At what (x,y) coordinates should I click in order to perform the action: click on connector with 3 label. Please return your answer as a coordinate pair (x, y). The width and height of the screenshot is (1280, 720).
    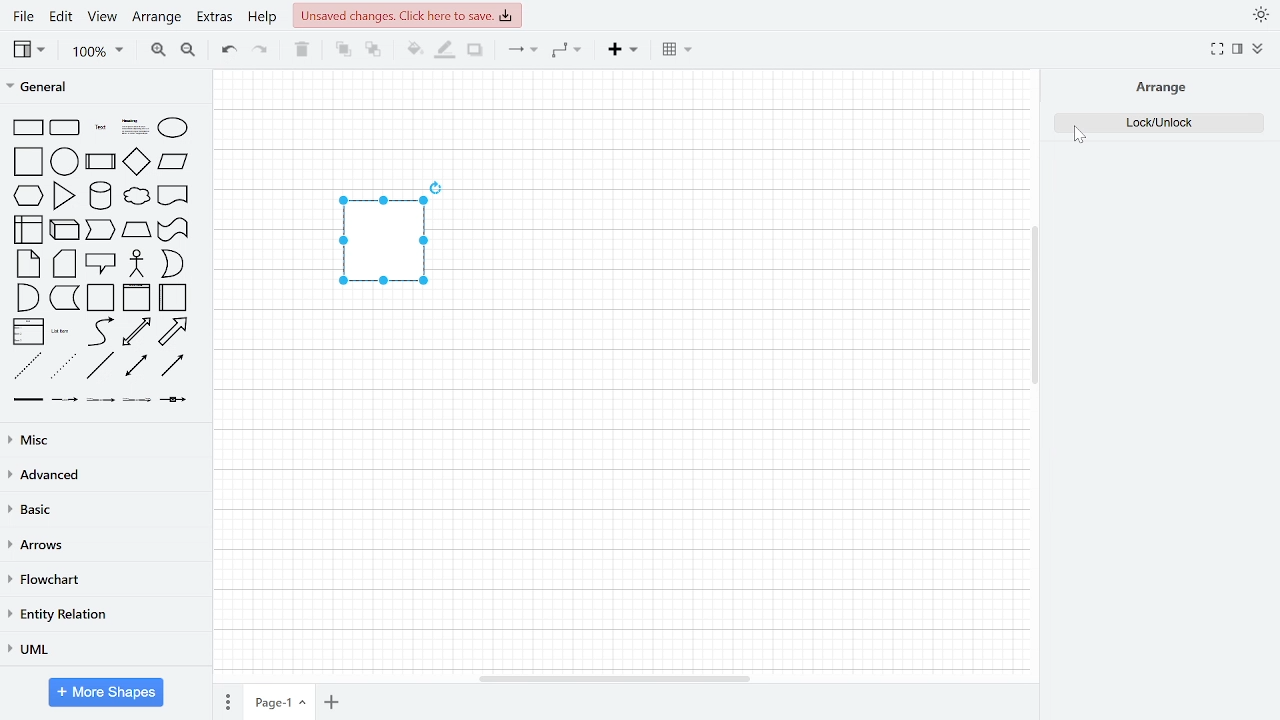
    Looking at the image, I should click on (137, 402).